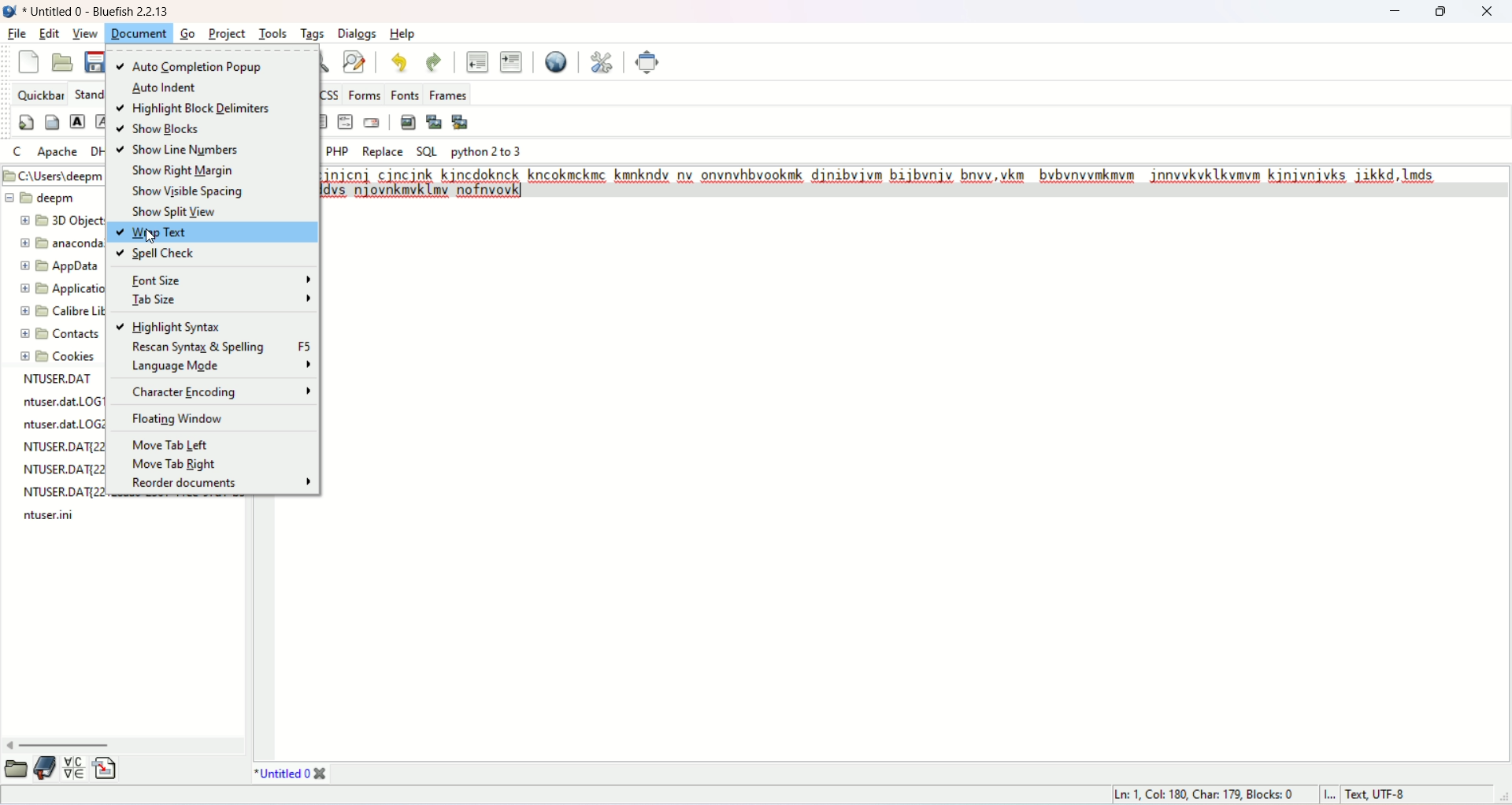 The width and height of the screenshot is (1512, 805). I want to click on cookies, so click(54, 357).